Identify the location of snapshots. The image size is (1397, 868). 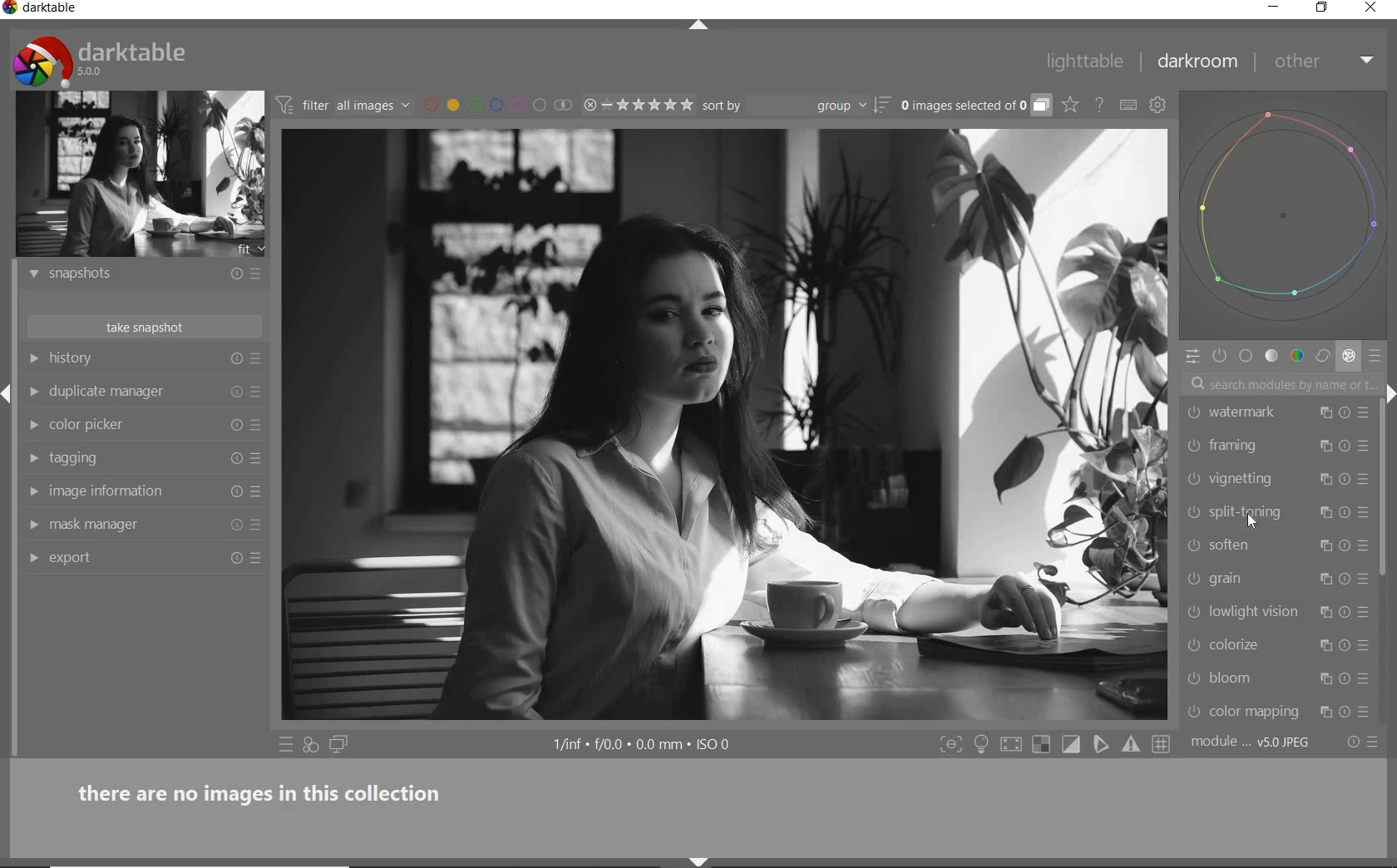
(131, 277).